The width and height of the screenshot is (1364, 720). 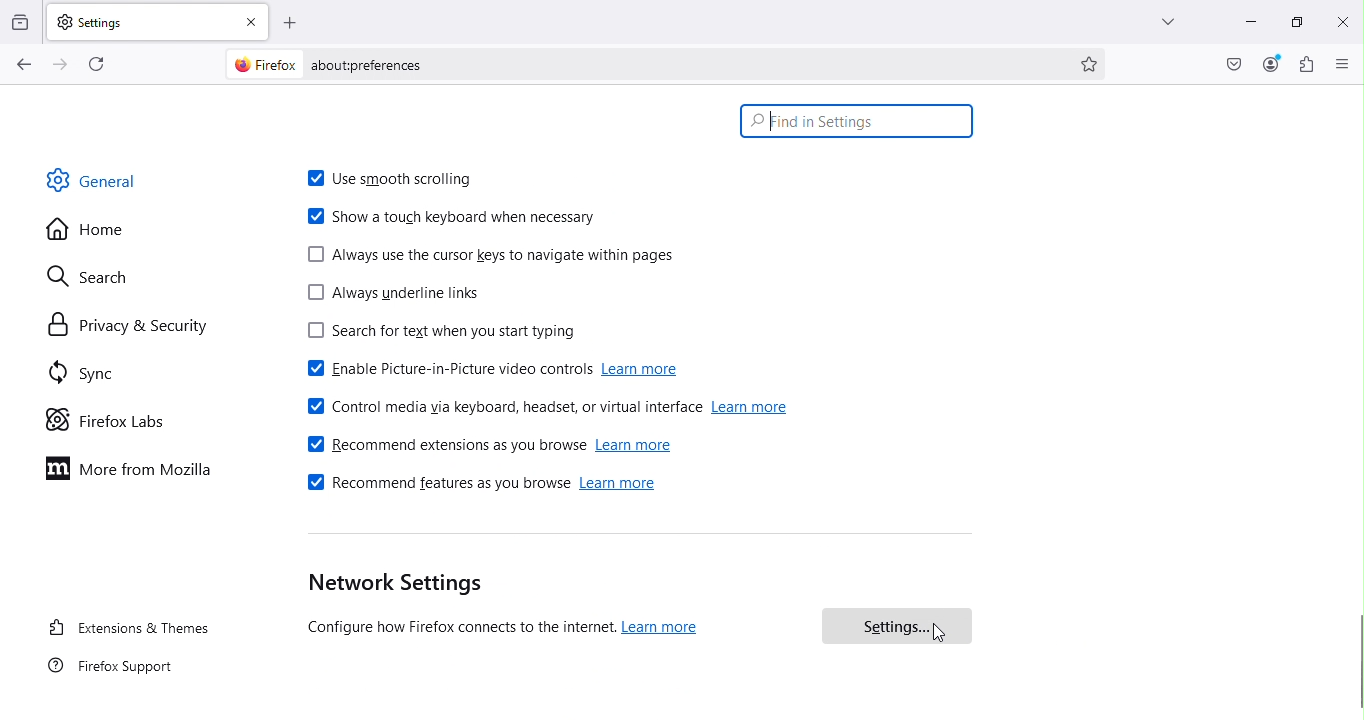 I want to click on Use smooth scrolling, so click(x=400, y=181).